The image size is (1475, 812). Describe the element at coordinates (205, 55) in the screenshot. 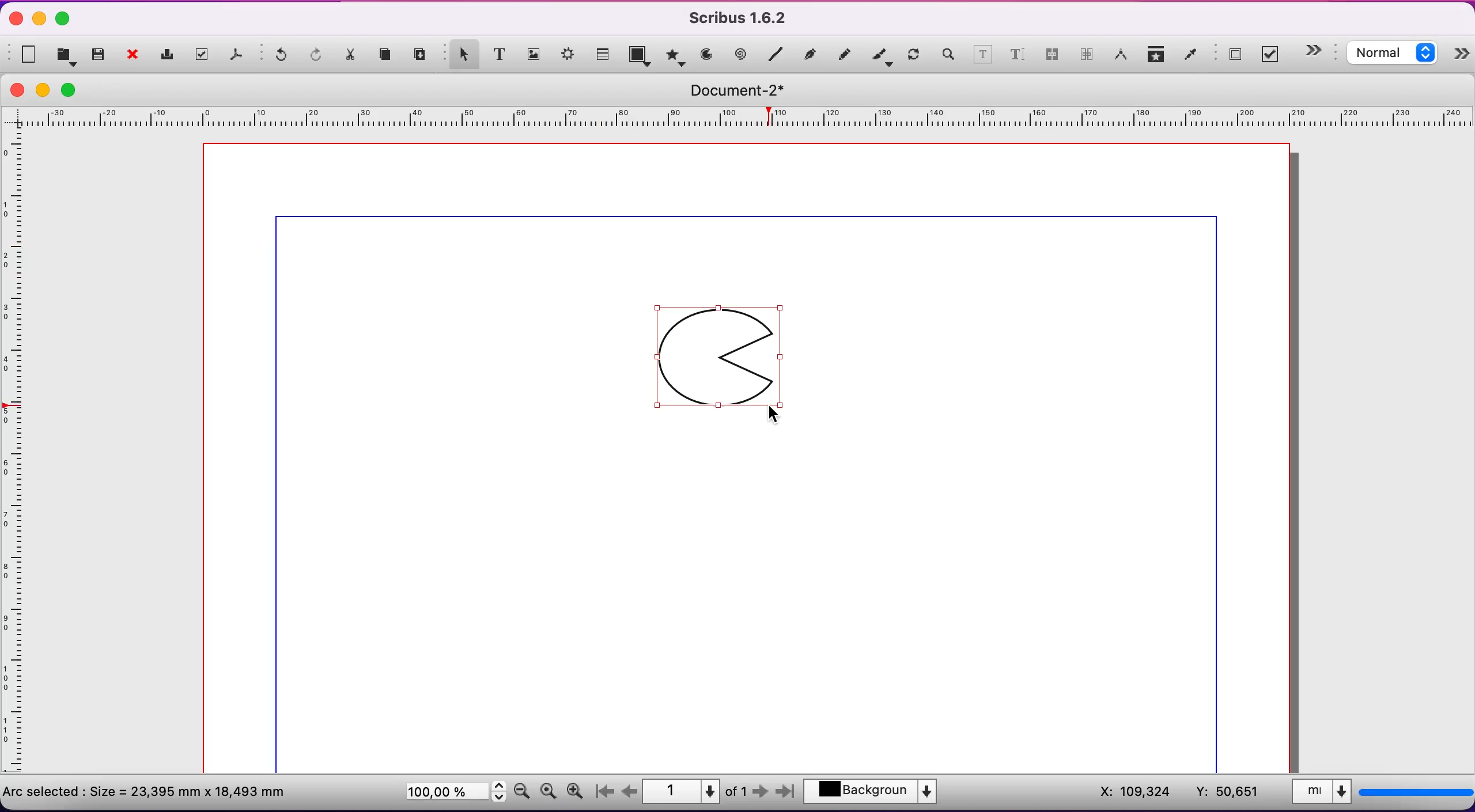

I see `preflight verifier` at that location.